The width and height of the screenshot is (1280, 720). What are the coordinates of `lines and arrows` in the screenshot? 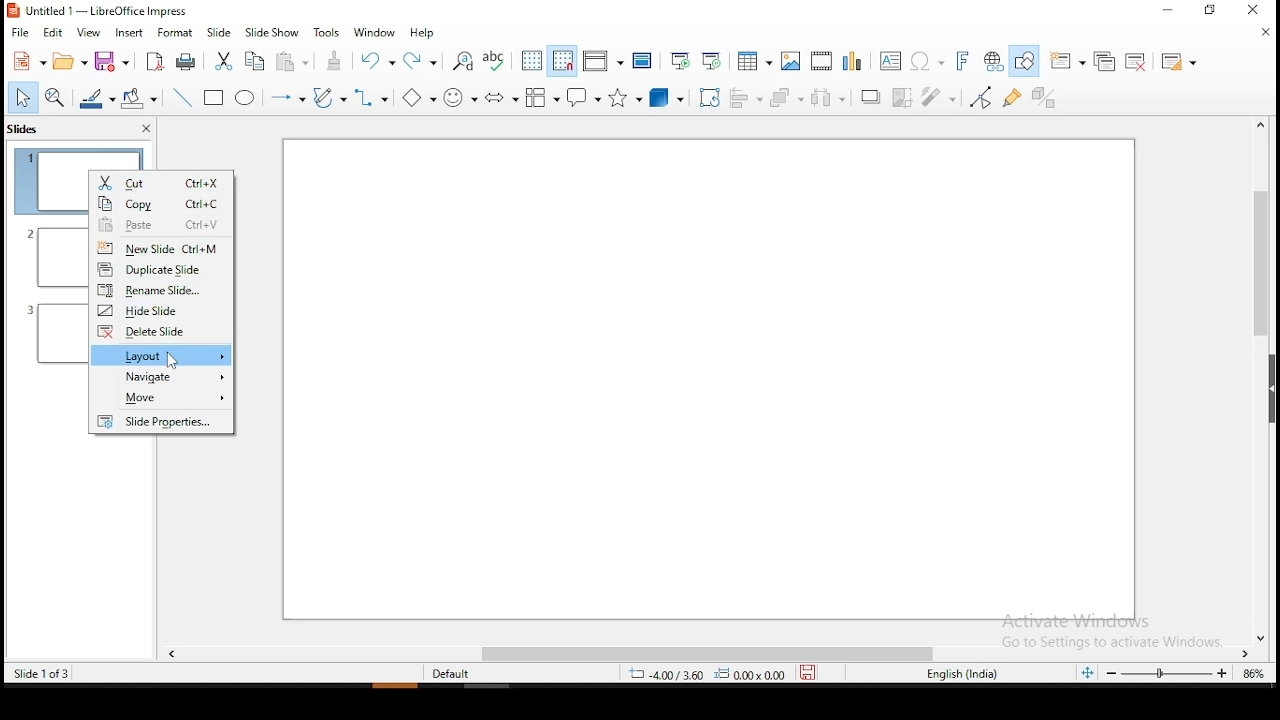 It's located at (287, 98).